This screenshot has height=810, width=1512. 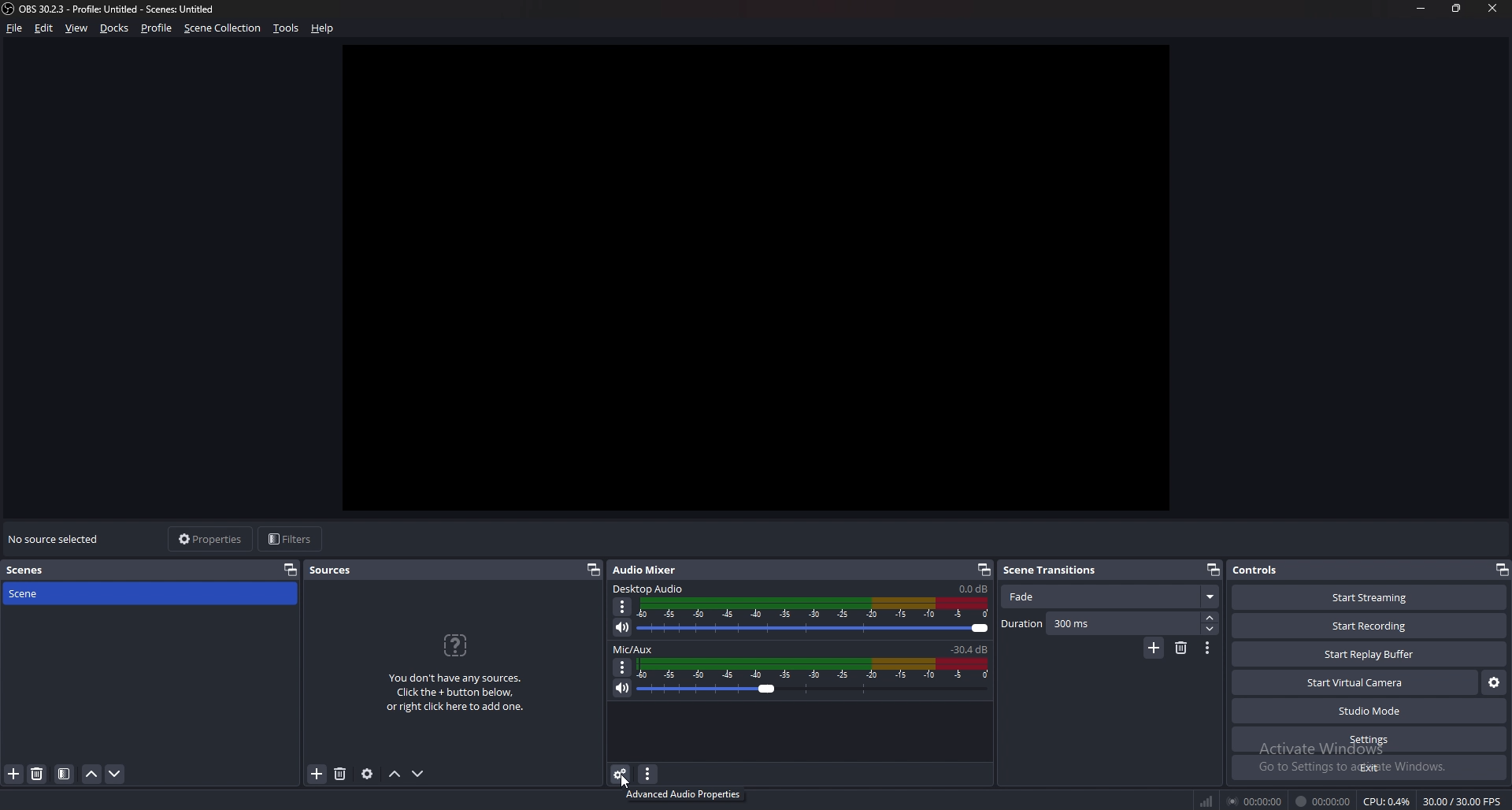 I want to click on You don't have any sources.Click the + button below,or right click here to add one., so click(x=454, y=693).